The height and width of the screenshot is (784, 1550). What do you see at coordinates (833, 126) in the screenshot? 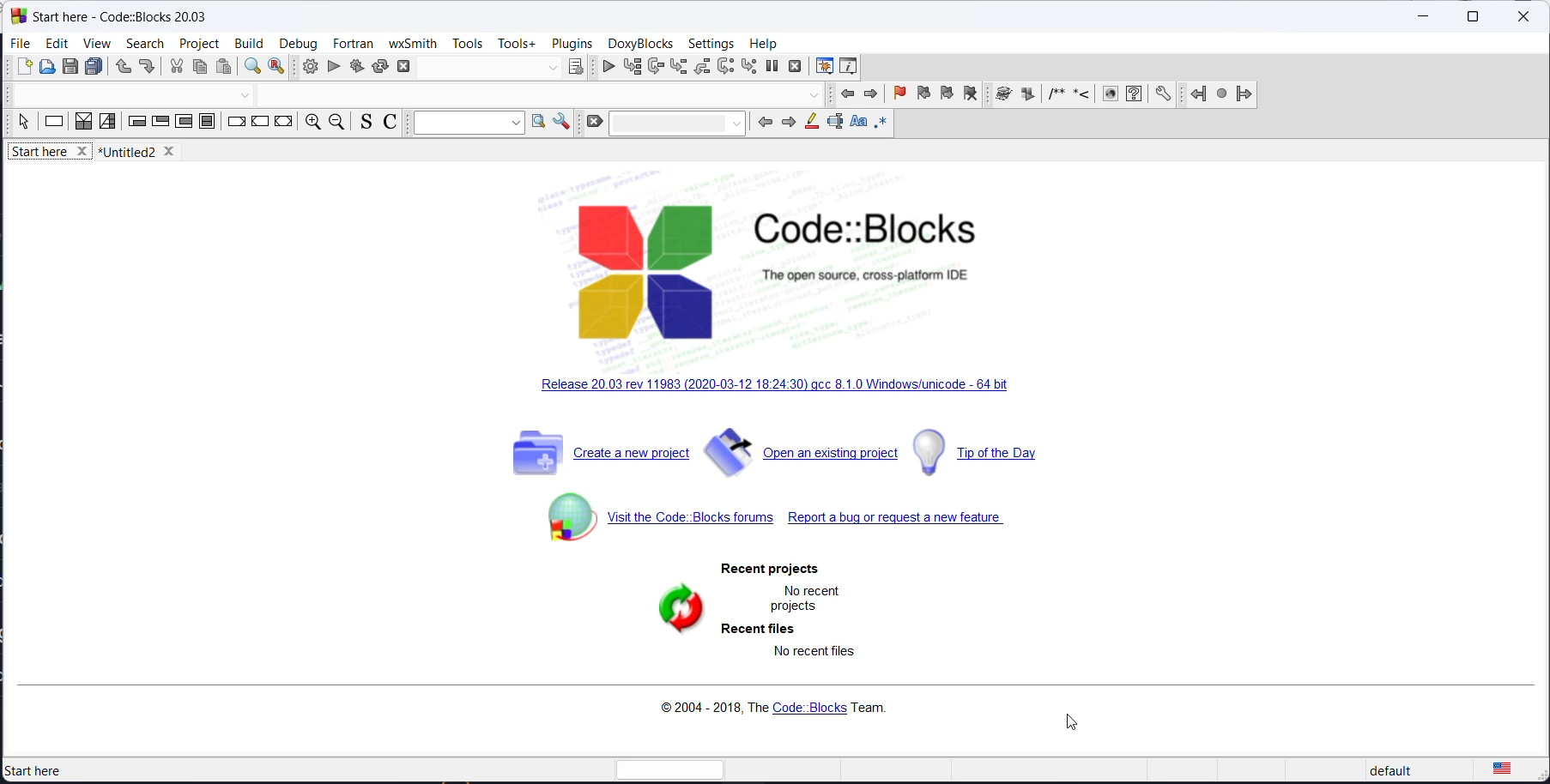
I see `text select` at bounding box center [833, 126].